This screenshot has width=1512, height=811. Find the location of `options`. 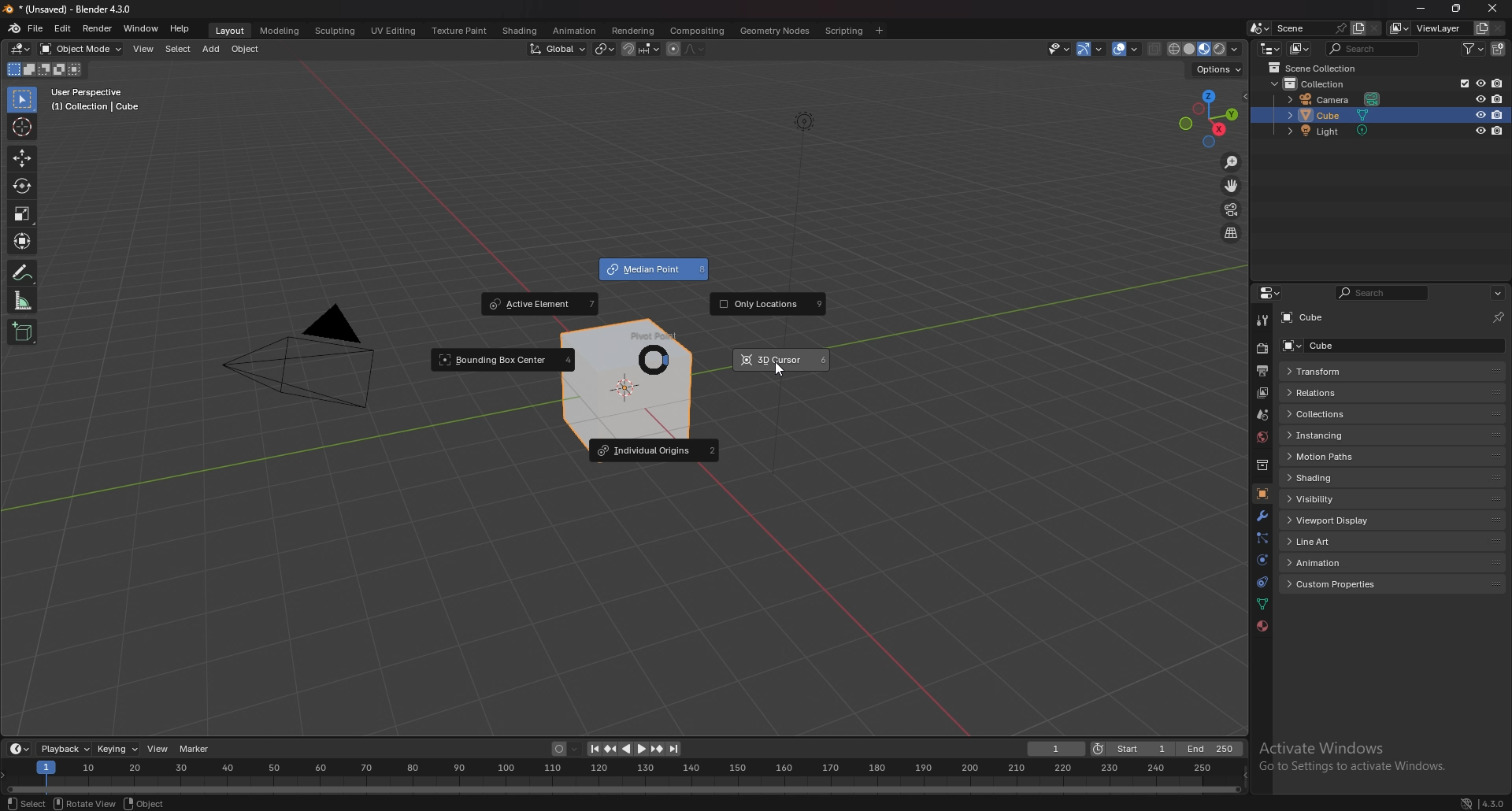

options is located at coordinates (1219, 70).